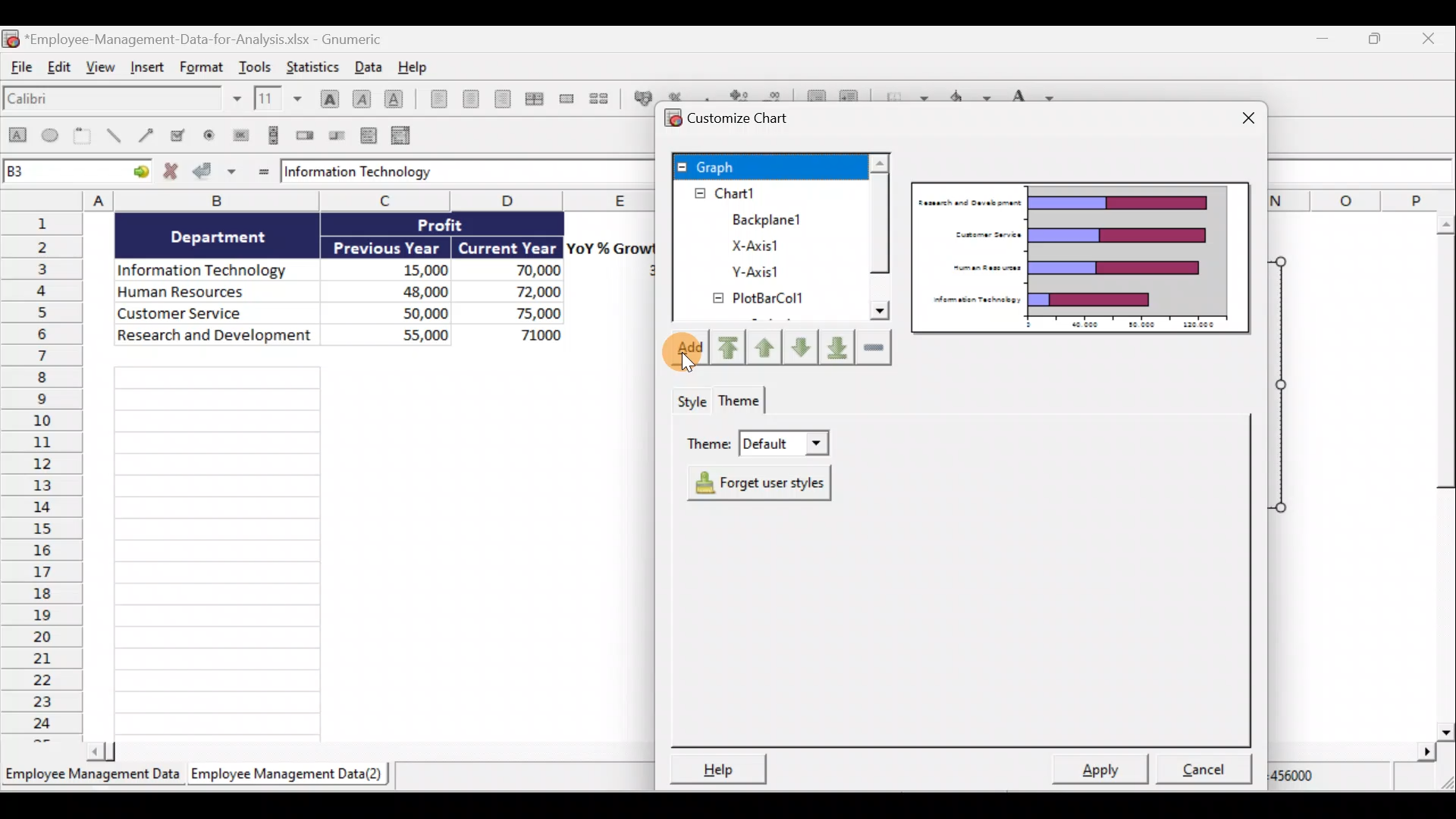  What do you see at coordinates (138, 174) in the screenshot?
I see `Go to` at bounding box center [138, 174].